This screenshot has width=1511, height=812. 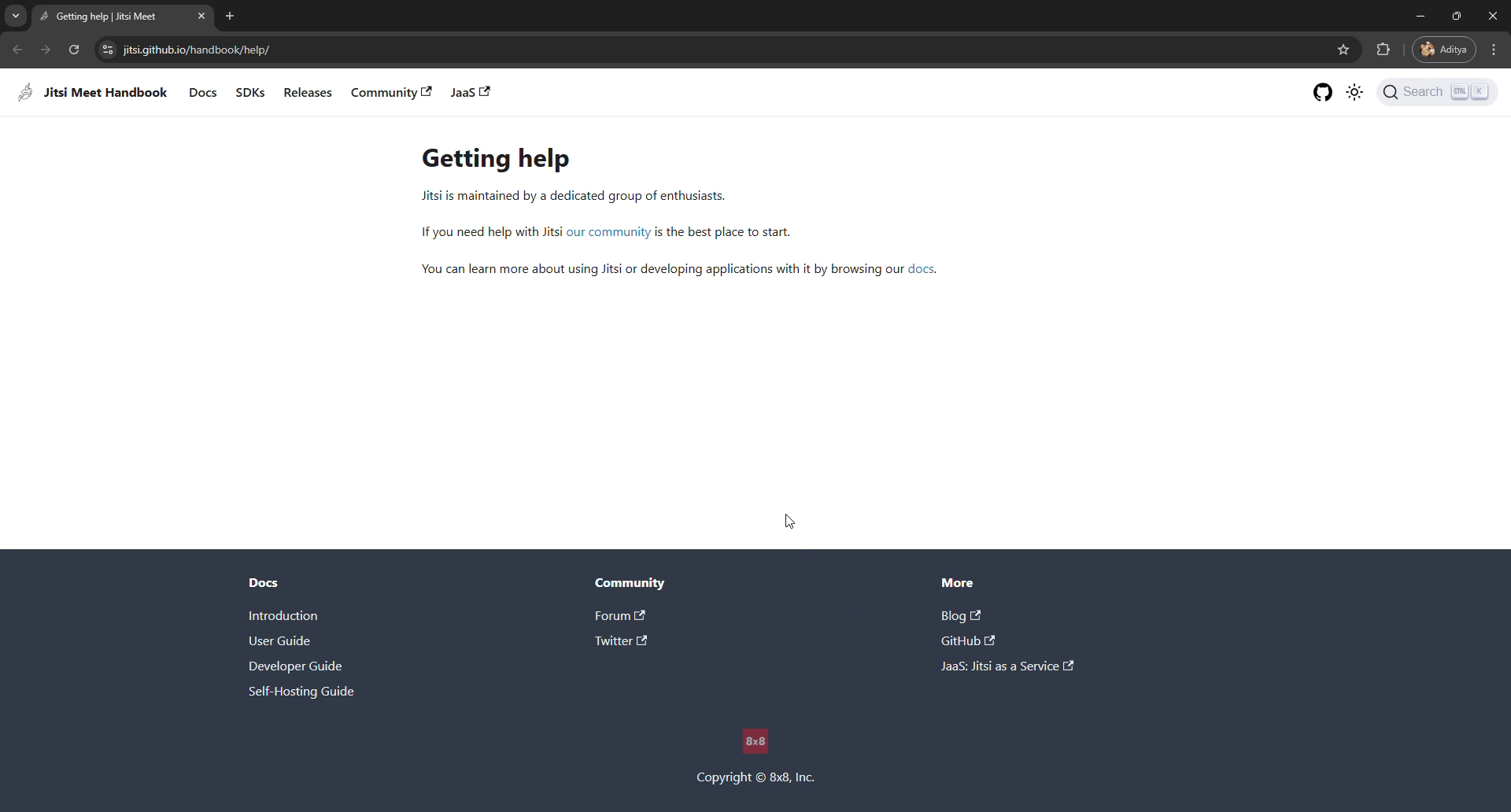 I want to click on docs, so click(x=262, y=583).